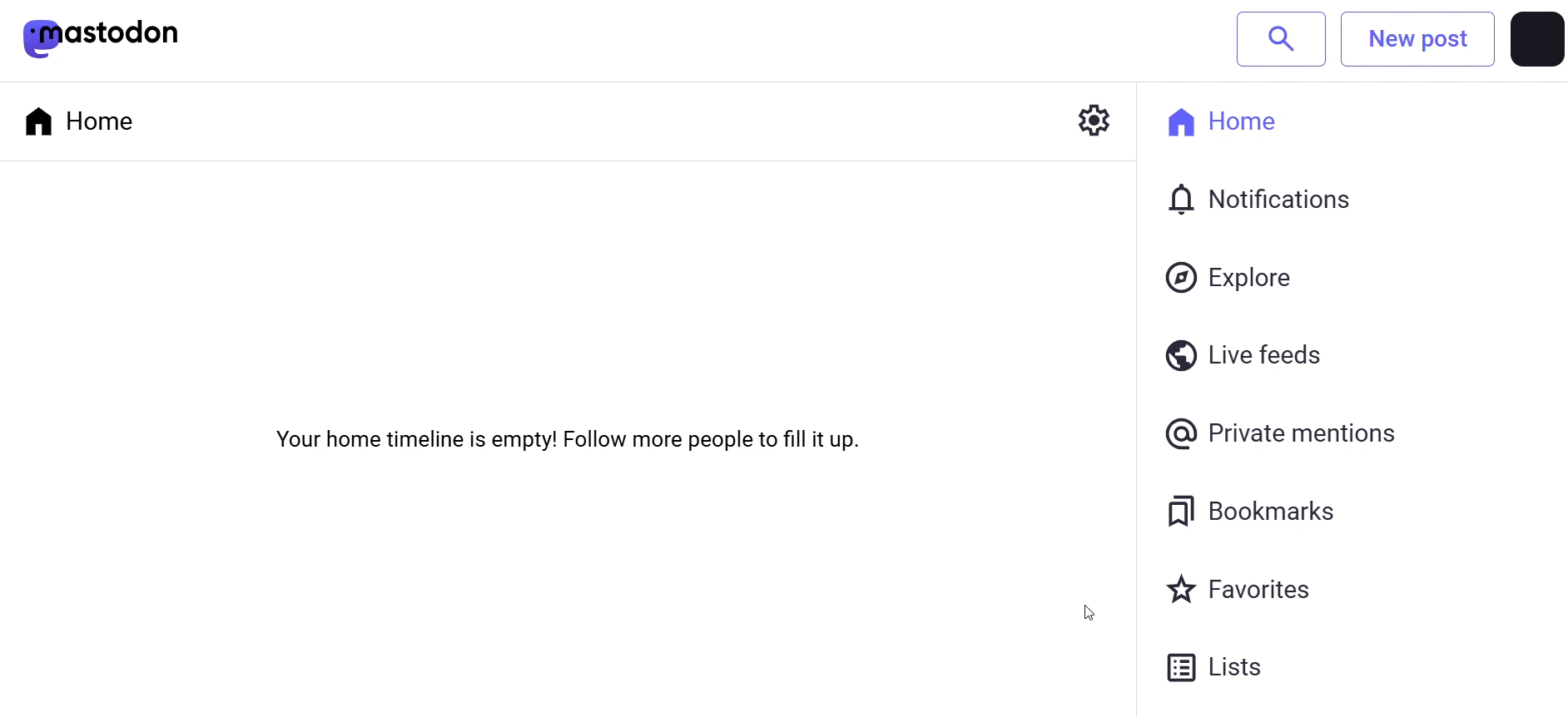 Image resolution: width=1568 pixels, height=717 pixels. Describe the element at coordinates (1232, 278) in the screenshot. I see `explore` at that location.